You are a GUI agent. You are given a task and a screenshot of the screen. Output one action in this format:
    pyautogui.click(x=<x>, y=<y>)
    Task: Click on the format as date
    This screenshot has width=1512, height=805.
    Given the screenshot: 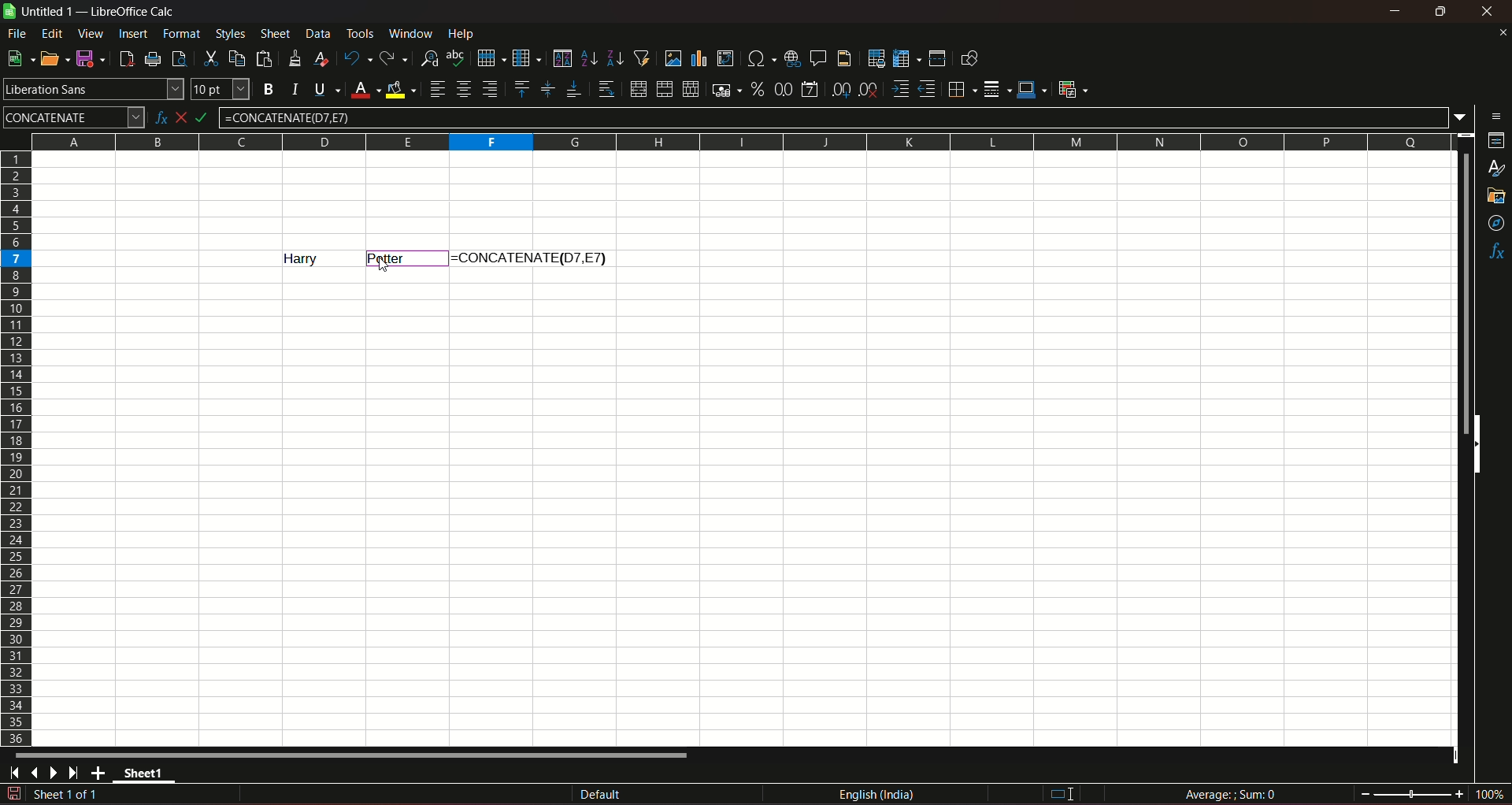 What is the action you would take?
    pyautogui.click(x=810, y=91)
    